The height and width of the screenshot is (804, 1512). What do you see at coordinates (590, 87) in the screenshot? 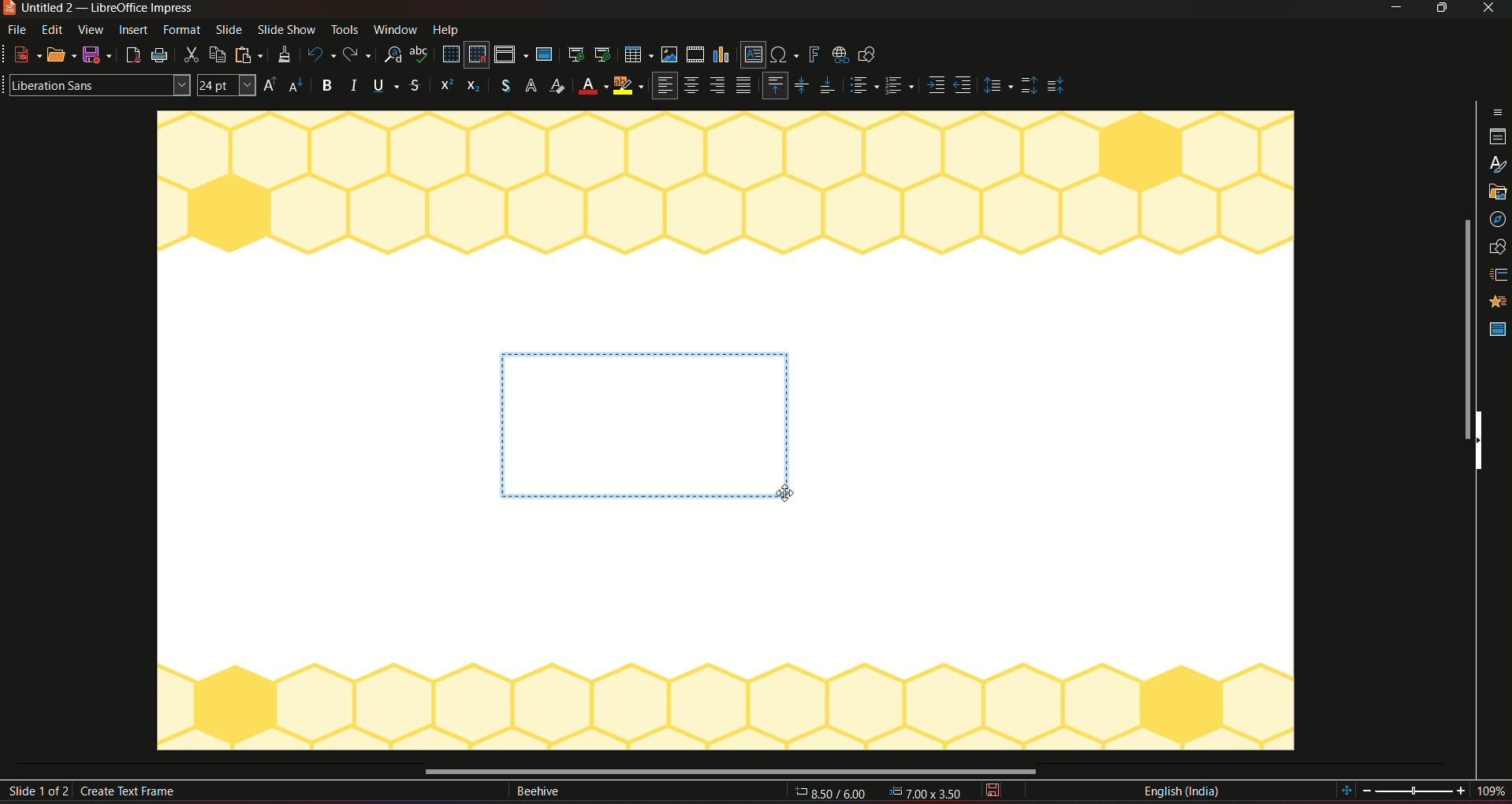
I see `Background color` at bounding box center [590, 87].